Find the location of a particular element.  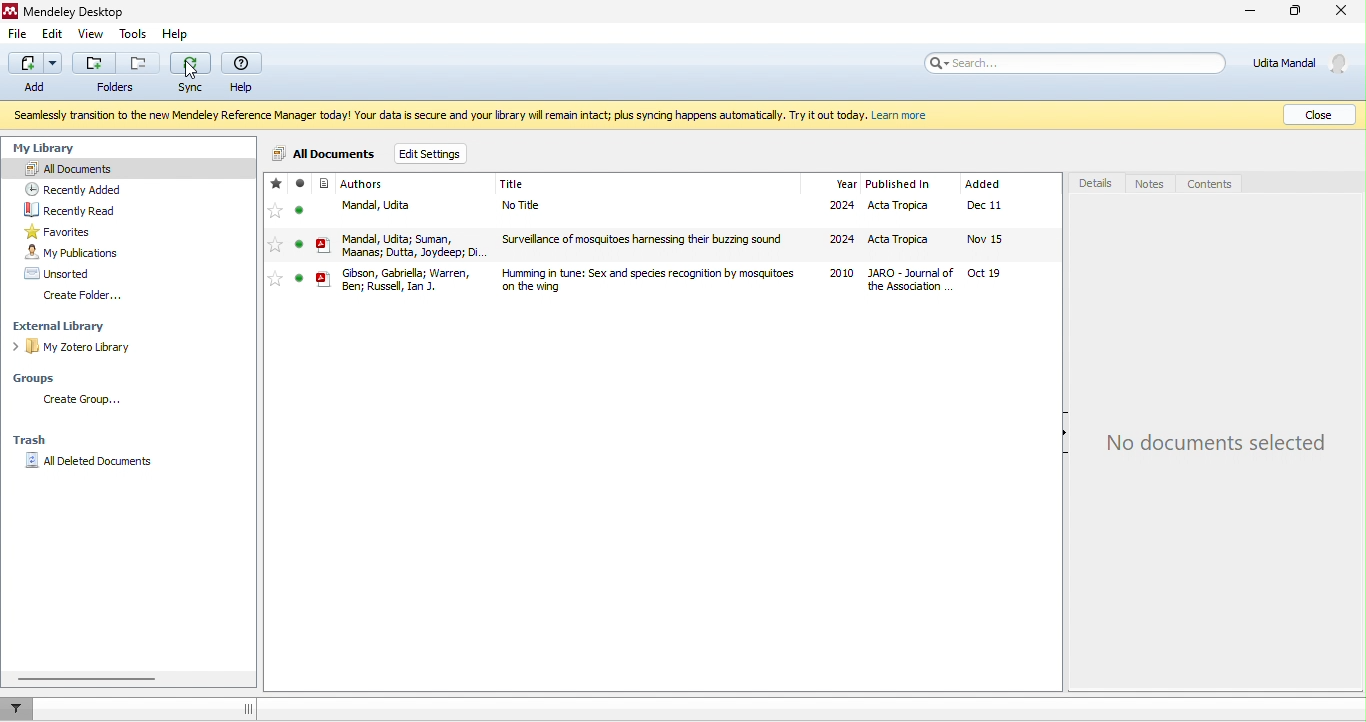

search bar is located at coordinates (1076, 63).